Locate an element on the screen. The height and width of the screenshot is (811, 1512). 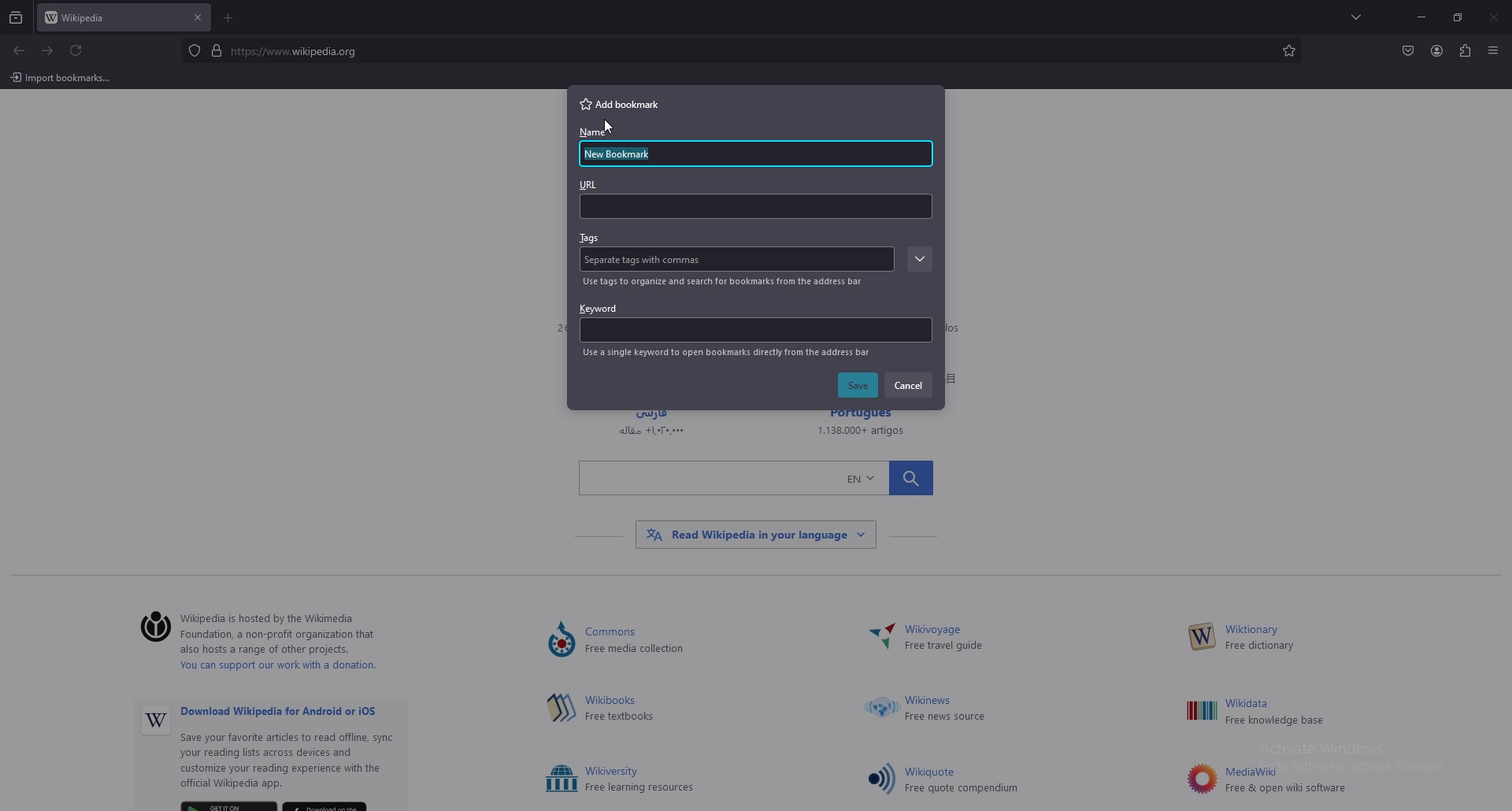
 is located at coordinates (61, 77).